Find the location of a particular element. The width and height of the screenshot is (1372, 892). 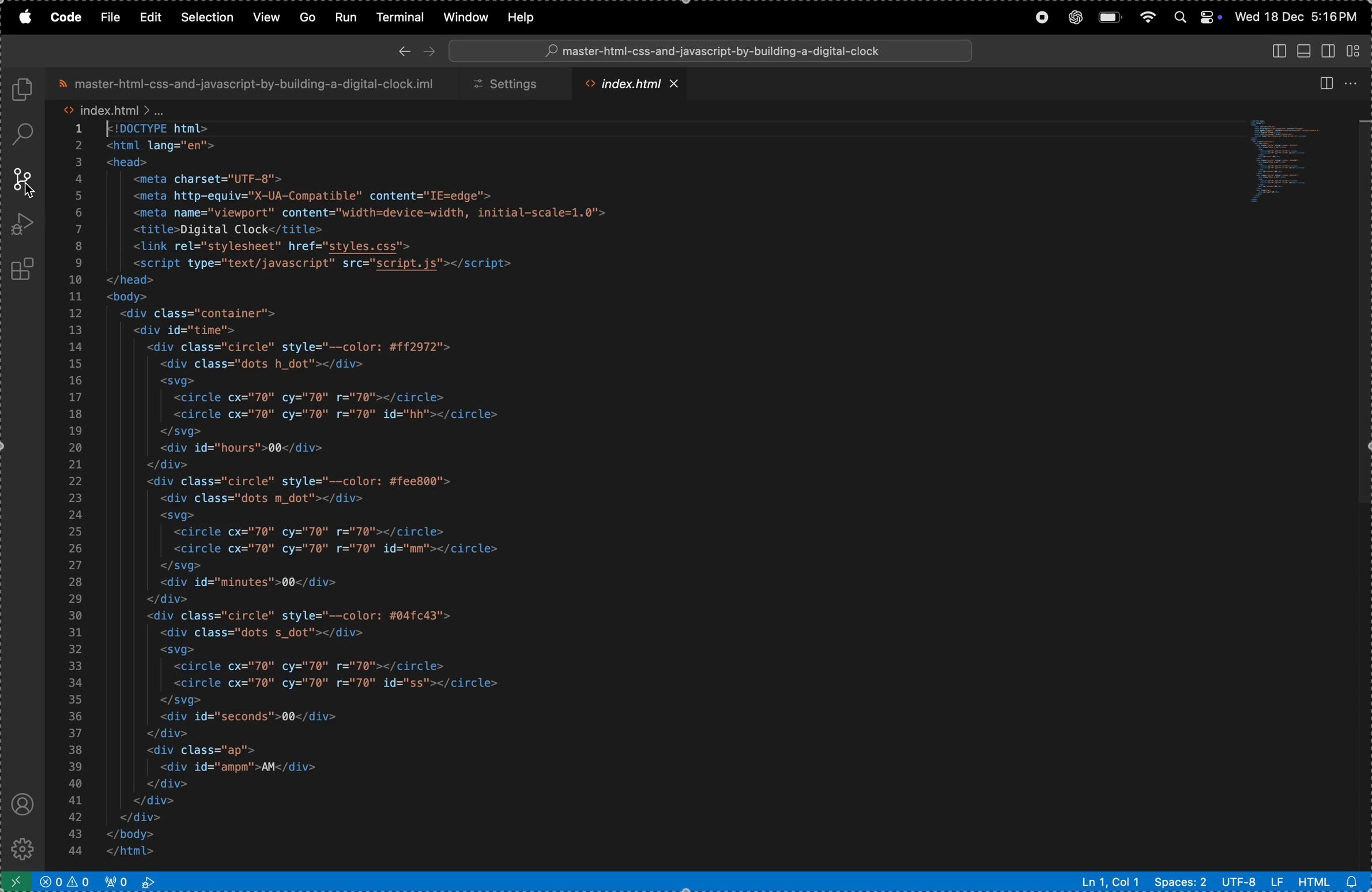

</html> is located at coordinates (129, 852).